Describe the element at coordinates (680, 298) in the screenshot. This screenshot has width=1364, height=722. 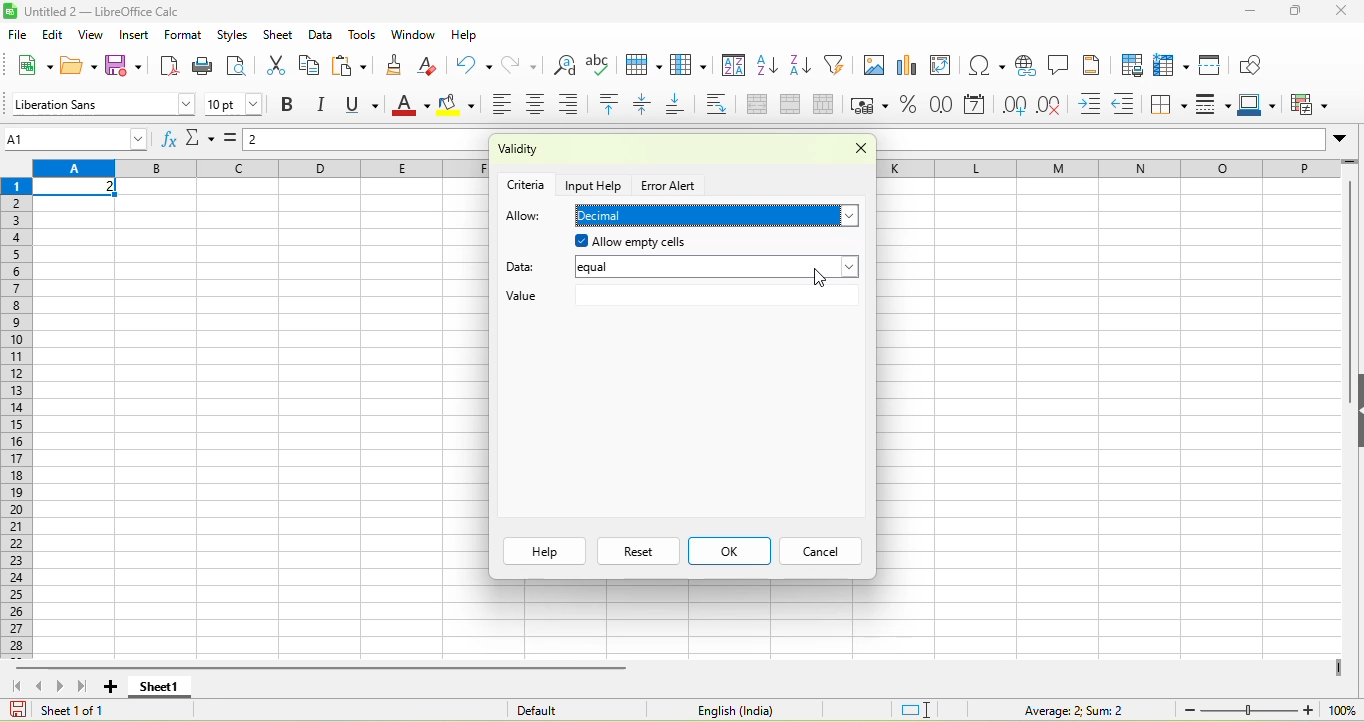
I see `value` at that location.